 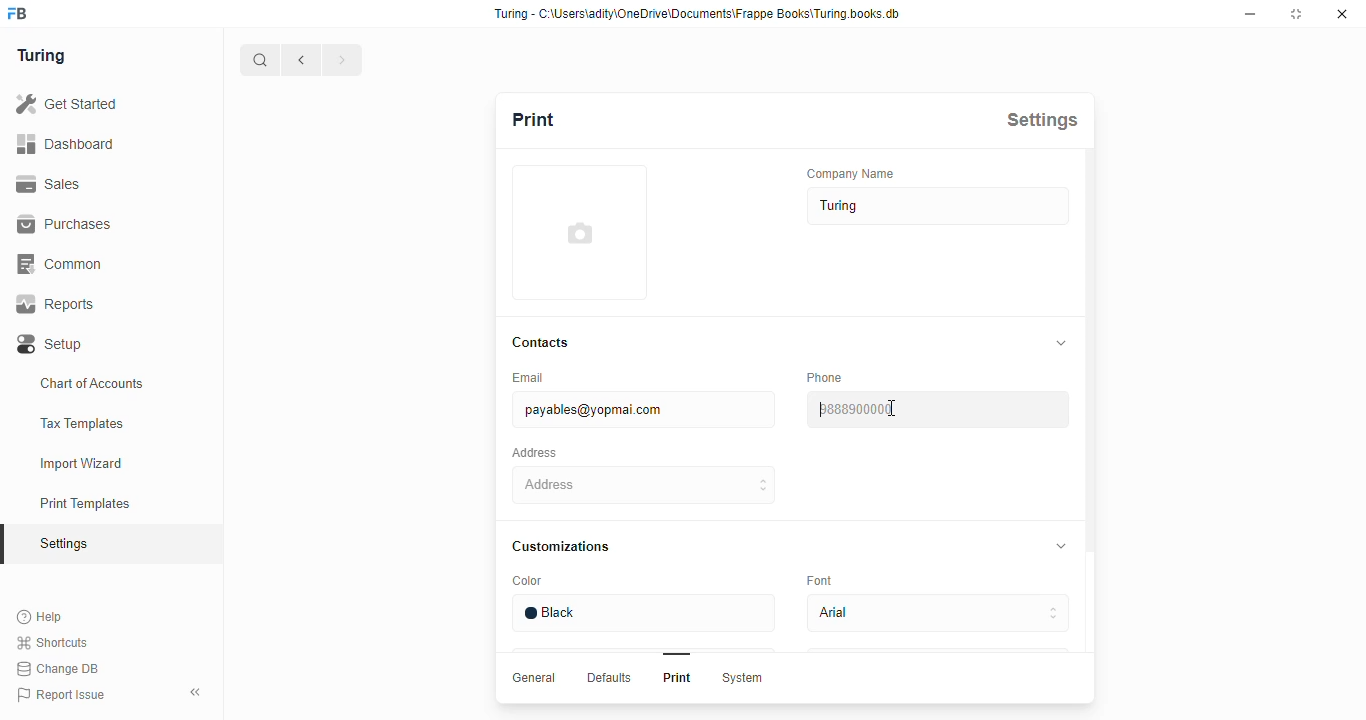 What do you see at coordinates (941, 613) in the screenshot?
I see `Adal` at bounding box center [941, 613].